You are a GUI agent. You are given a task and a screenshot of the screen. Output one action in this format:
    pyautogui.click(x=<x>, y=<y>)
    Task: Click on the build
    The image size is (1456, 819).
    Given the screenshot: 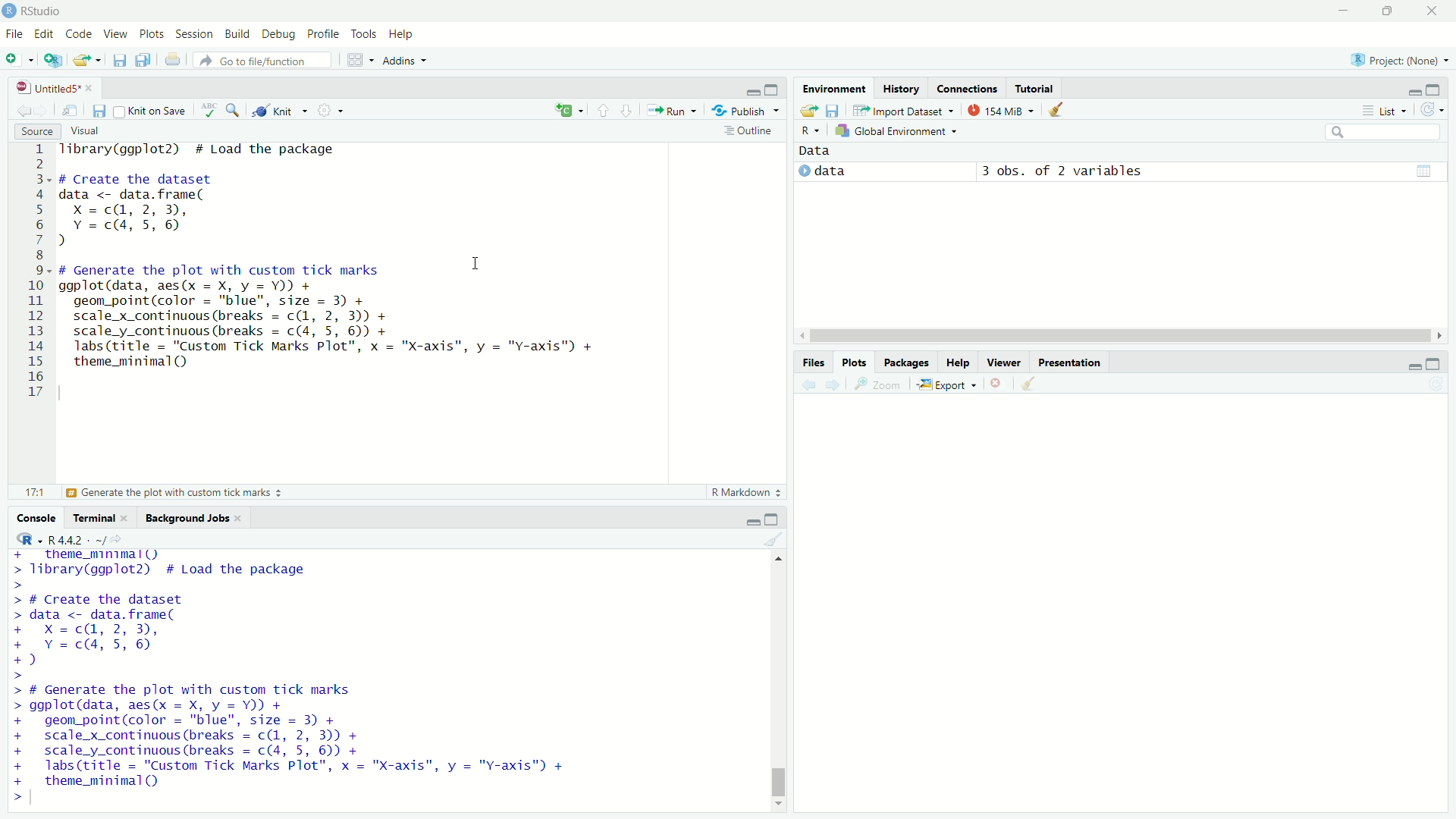 What is the action you would take?
    pyautogui.click(x=239, y=33)
    